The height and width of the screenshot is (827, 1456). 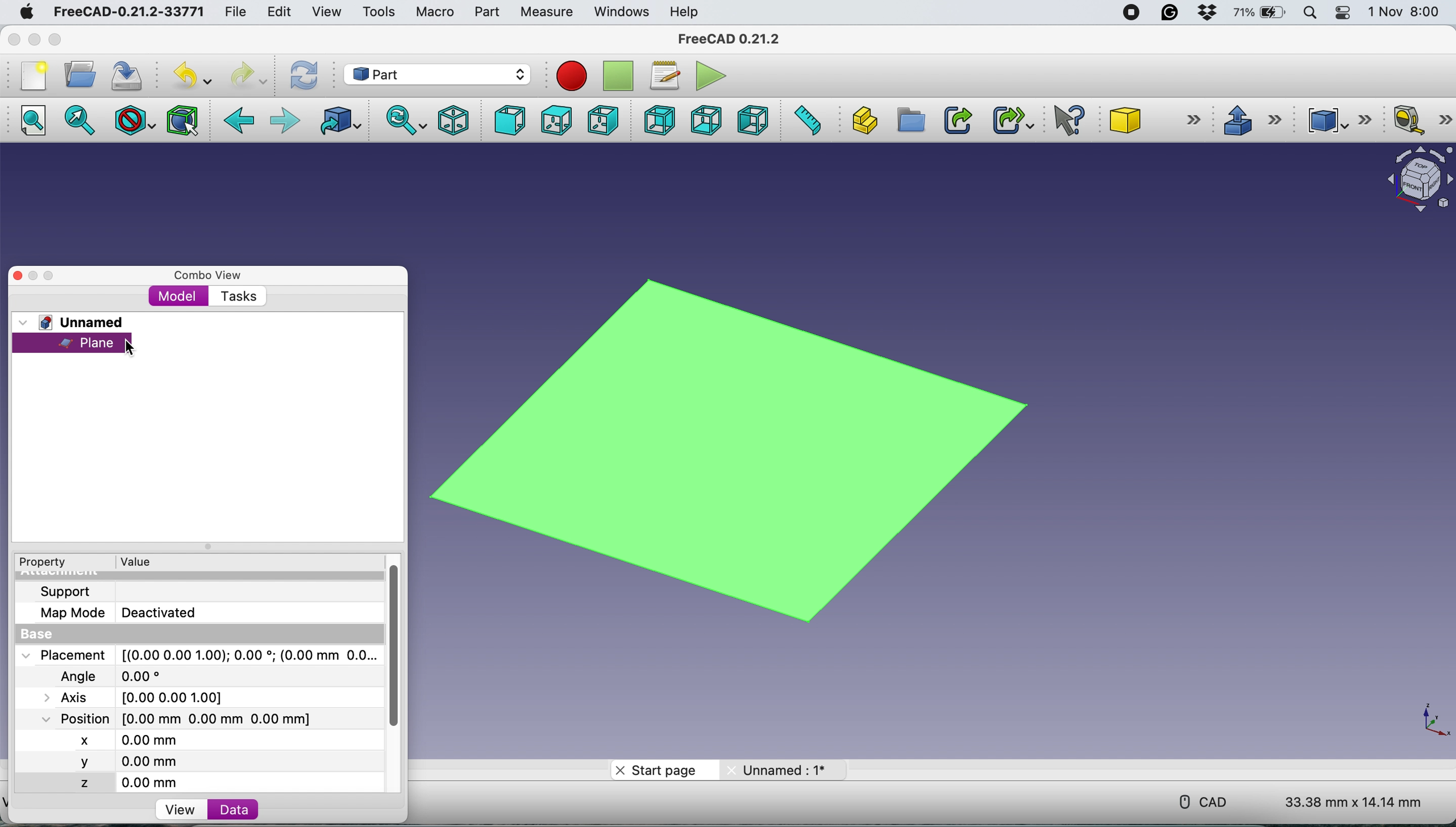 I want to click on support, so click(x=76, y=593).